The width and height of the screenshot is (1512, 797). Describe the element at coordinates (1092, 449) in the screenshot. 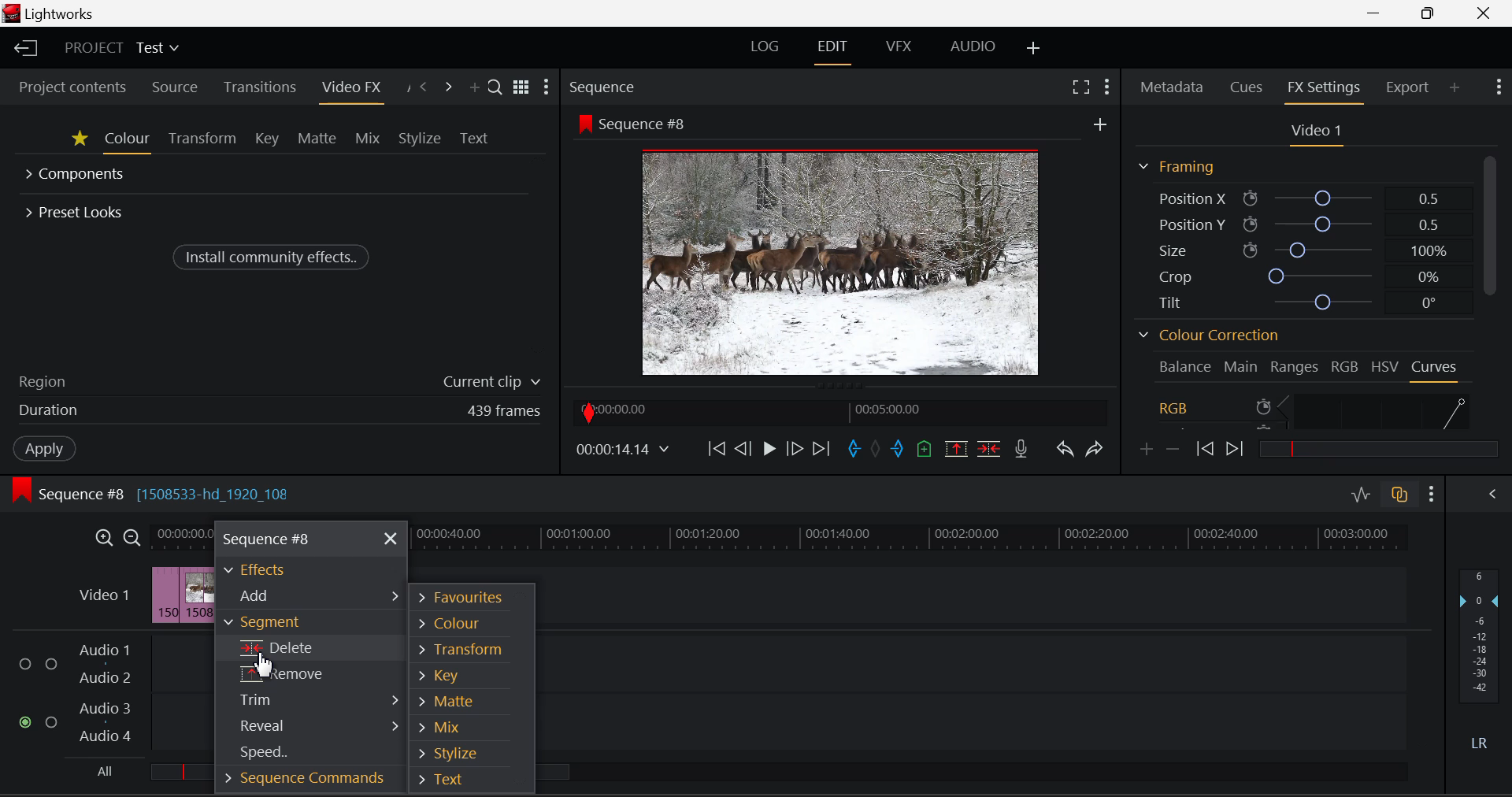

I see `Redo` at that location.